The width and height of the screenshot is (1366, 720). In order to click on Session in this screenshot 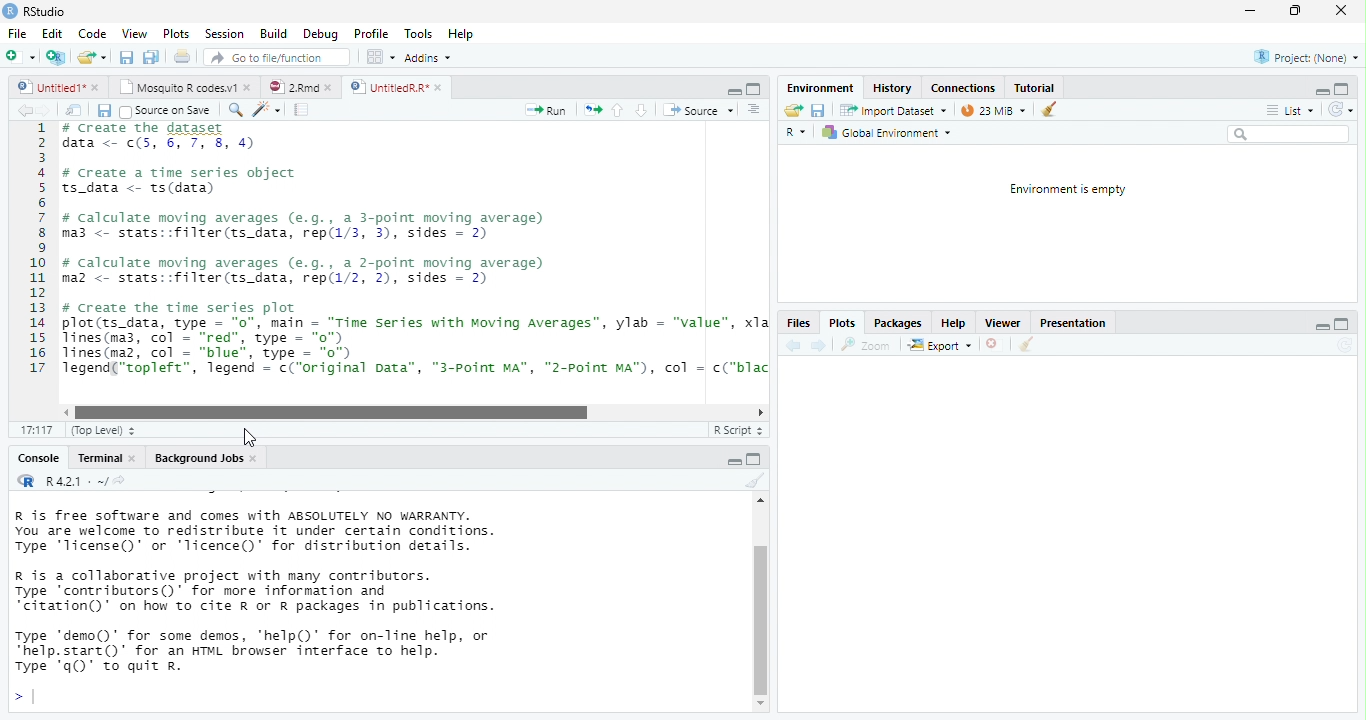, I will do `click(224, 33)`.